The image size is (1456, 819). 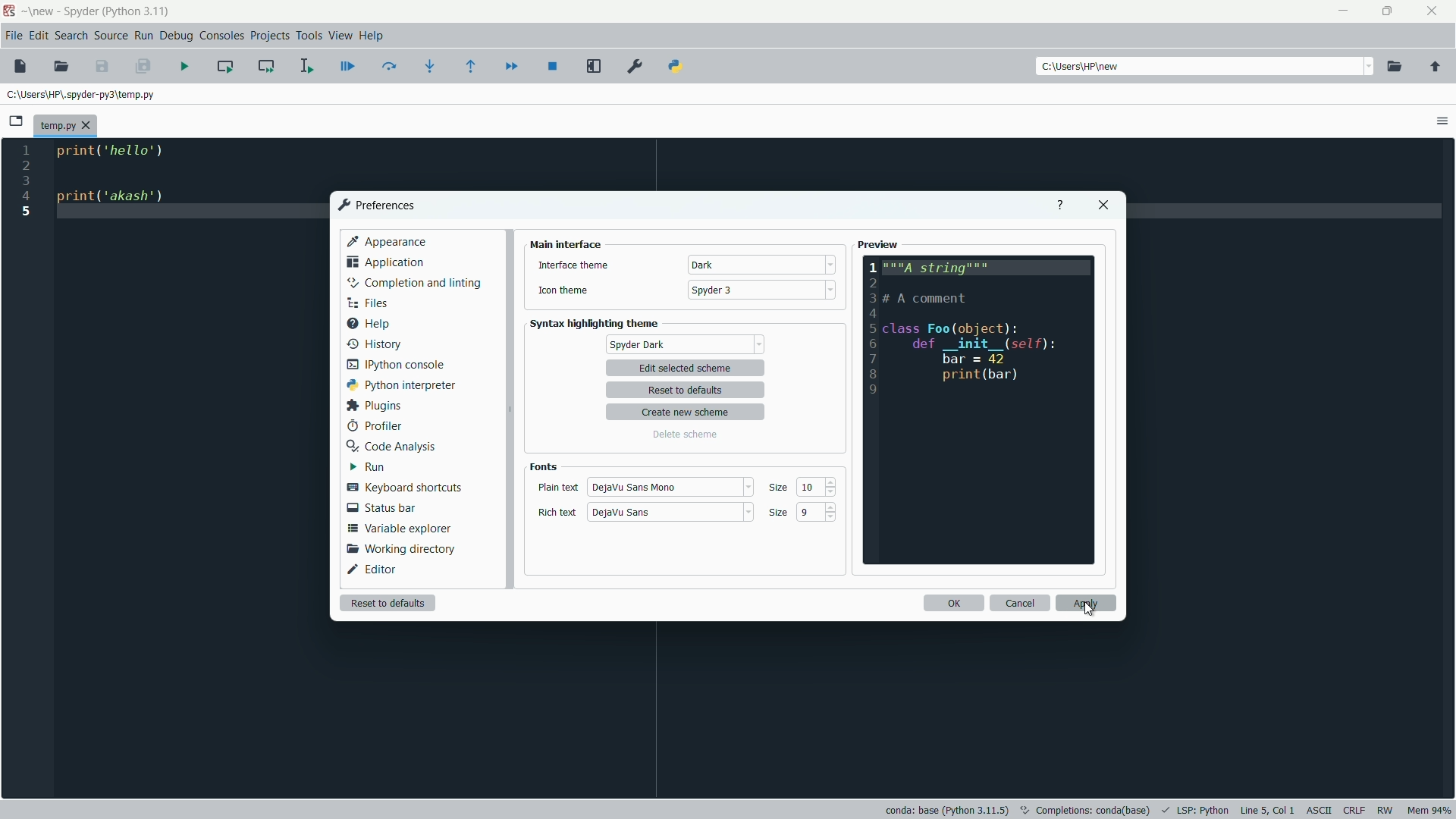 I want to click on app name, so click(x=79, y=11).